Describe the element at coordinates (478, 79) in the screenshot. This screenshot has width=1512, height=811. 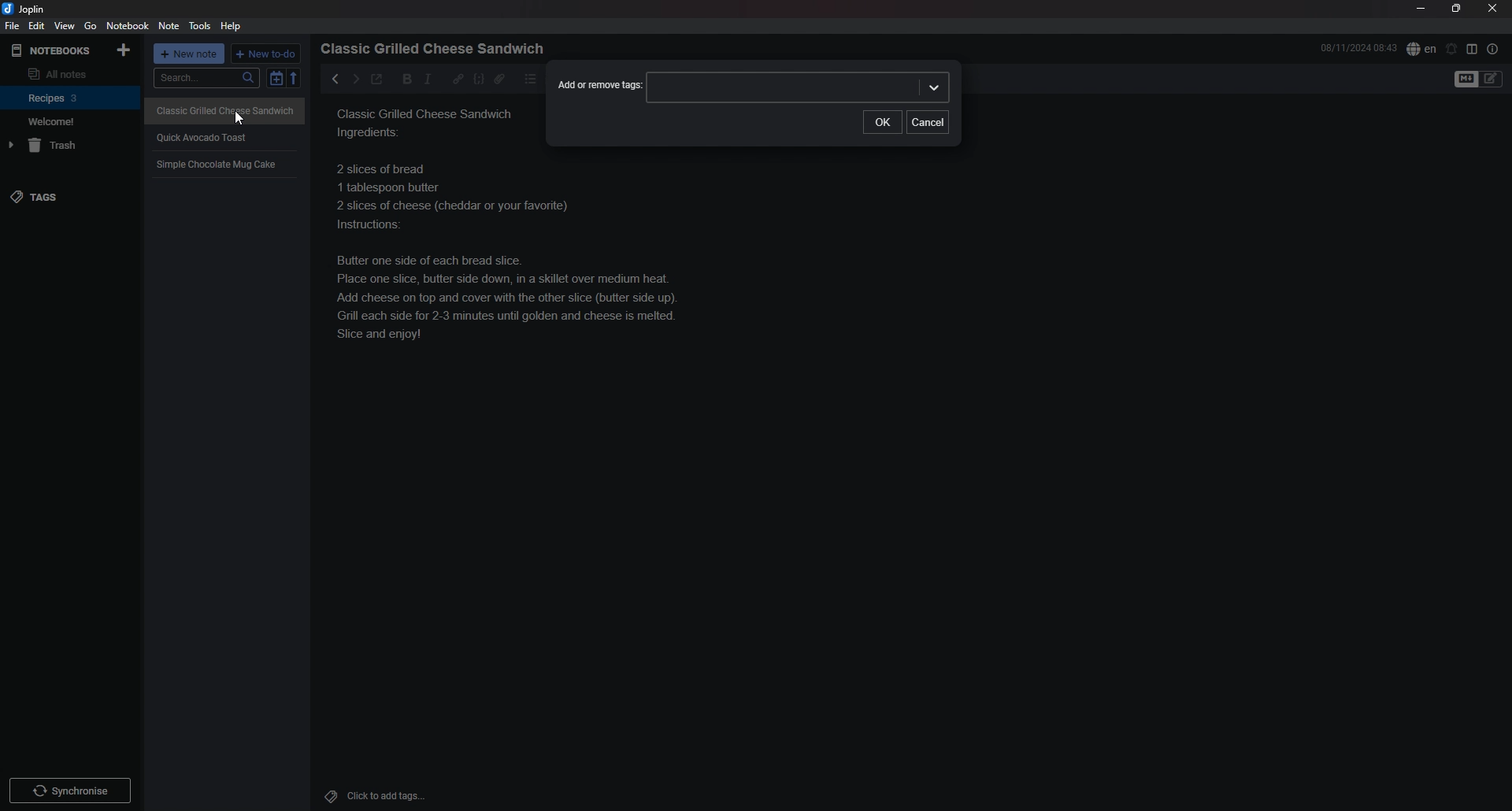
I see `code` at that location.